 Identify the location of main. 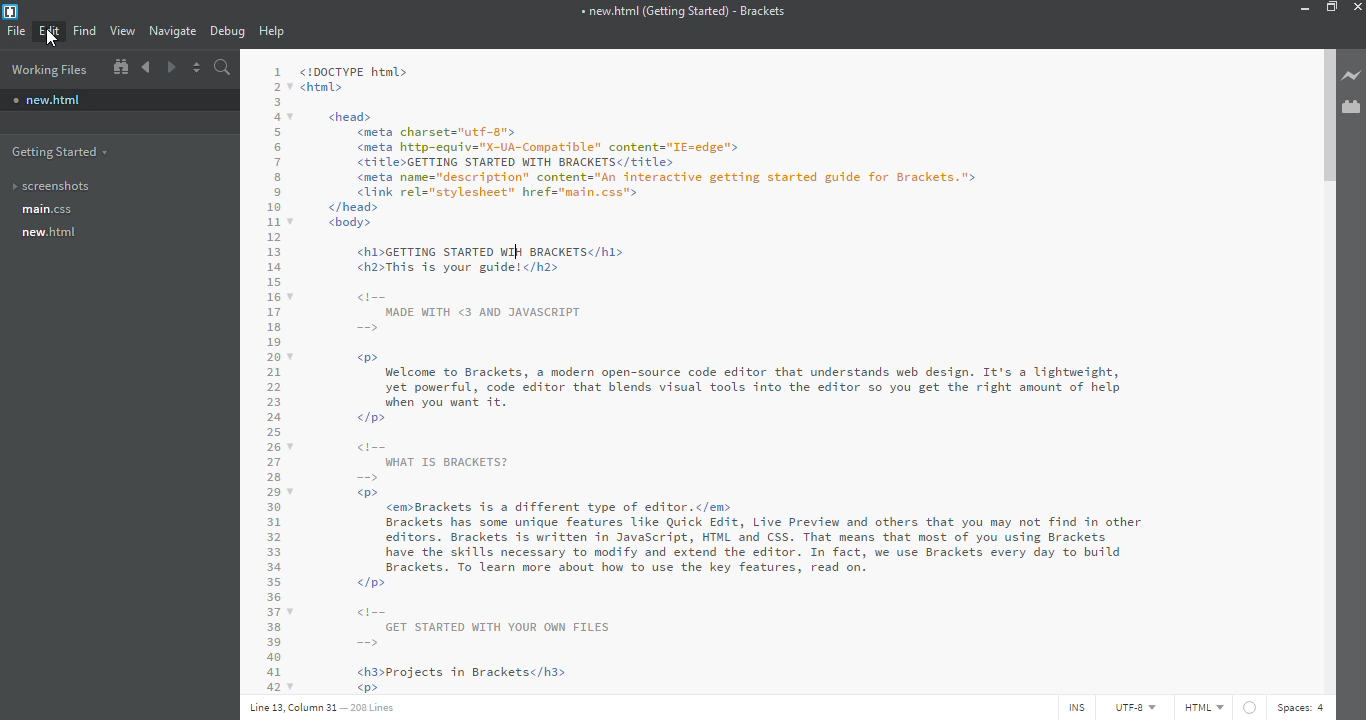
(50, 211).